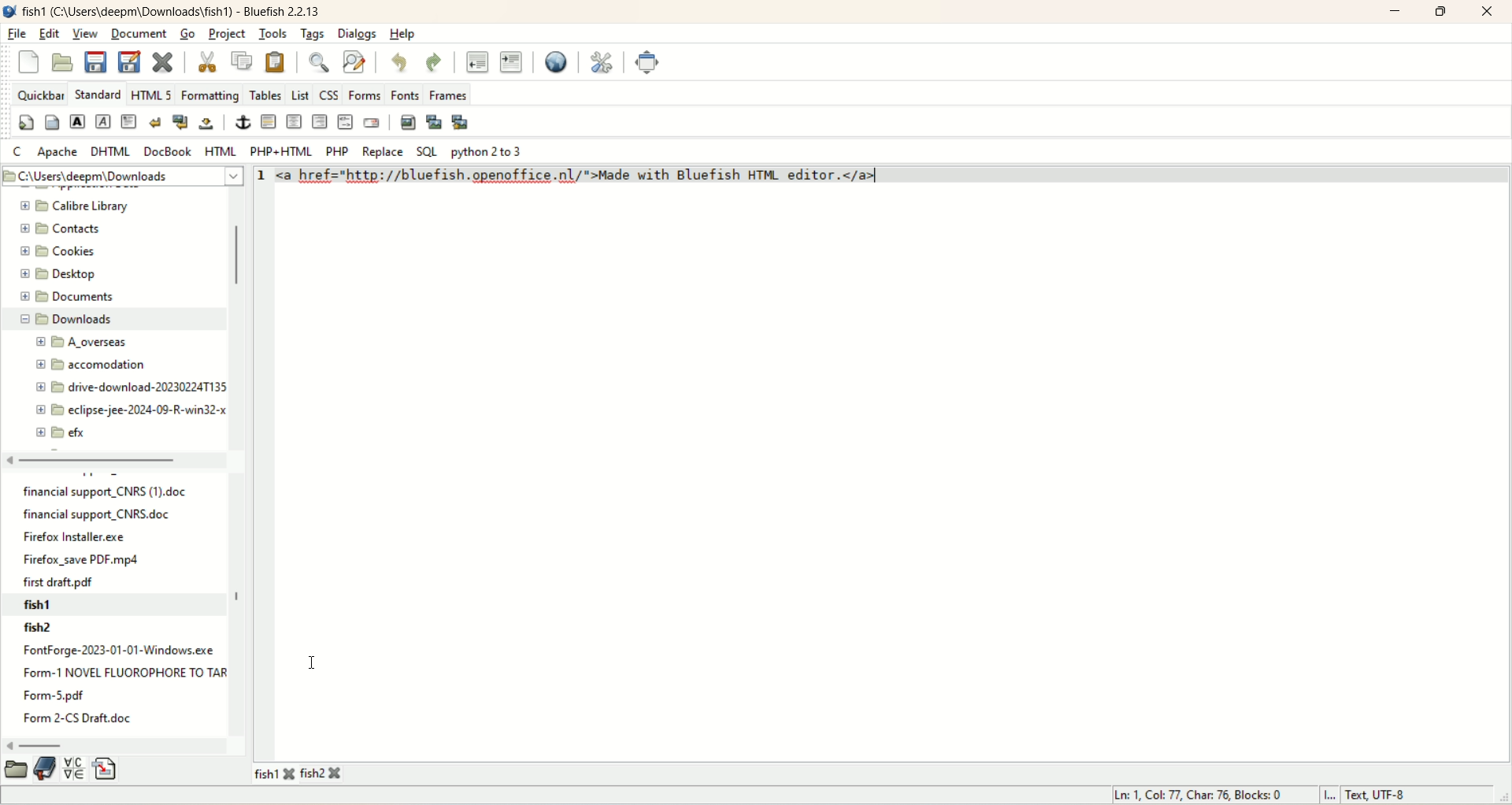 This screenshot has height=805, width=1512. What do you see at coordinates (240, 122) in the screenshot?
I see `anchor/hyperlink` at bounding box center [240, 122].